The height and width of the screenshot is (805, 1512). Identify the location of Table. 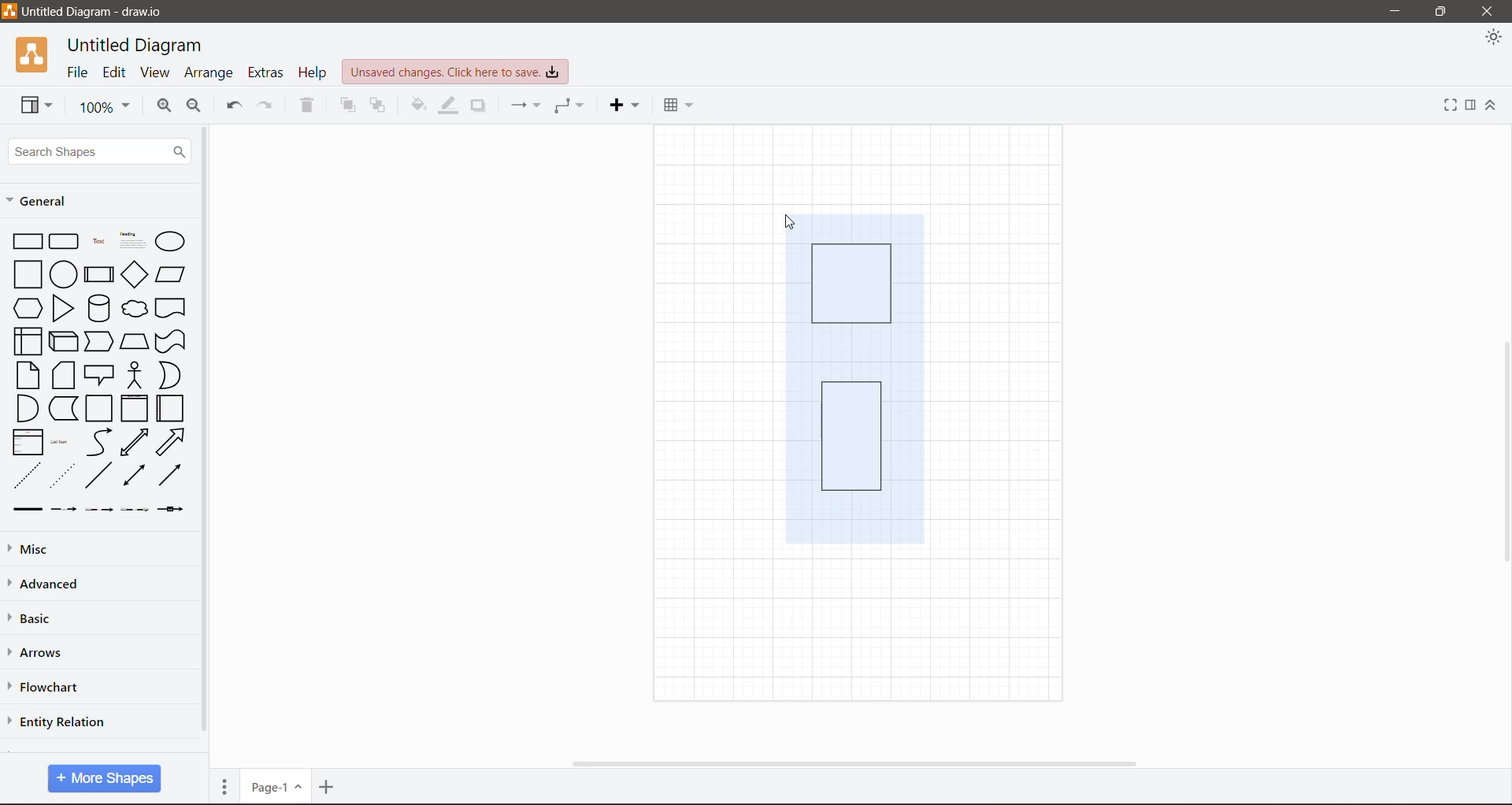
(678, 104).